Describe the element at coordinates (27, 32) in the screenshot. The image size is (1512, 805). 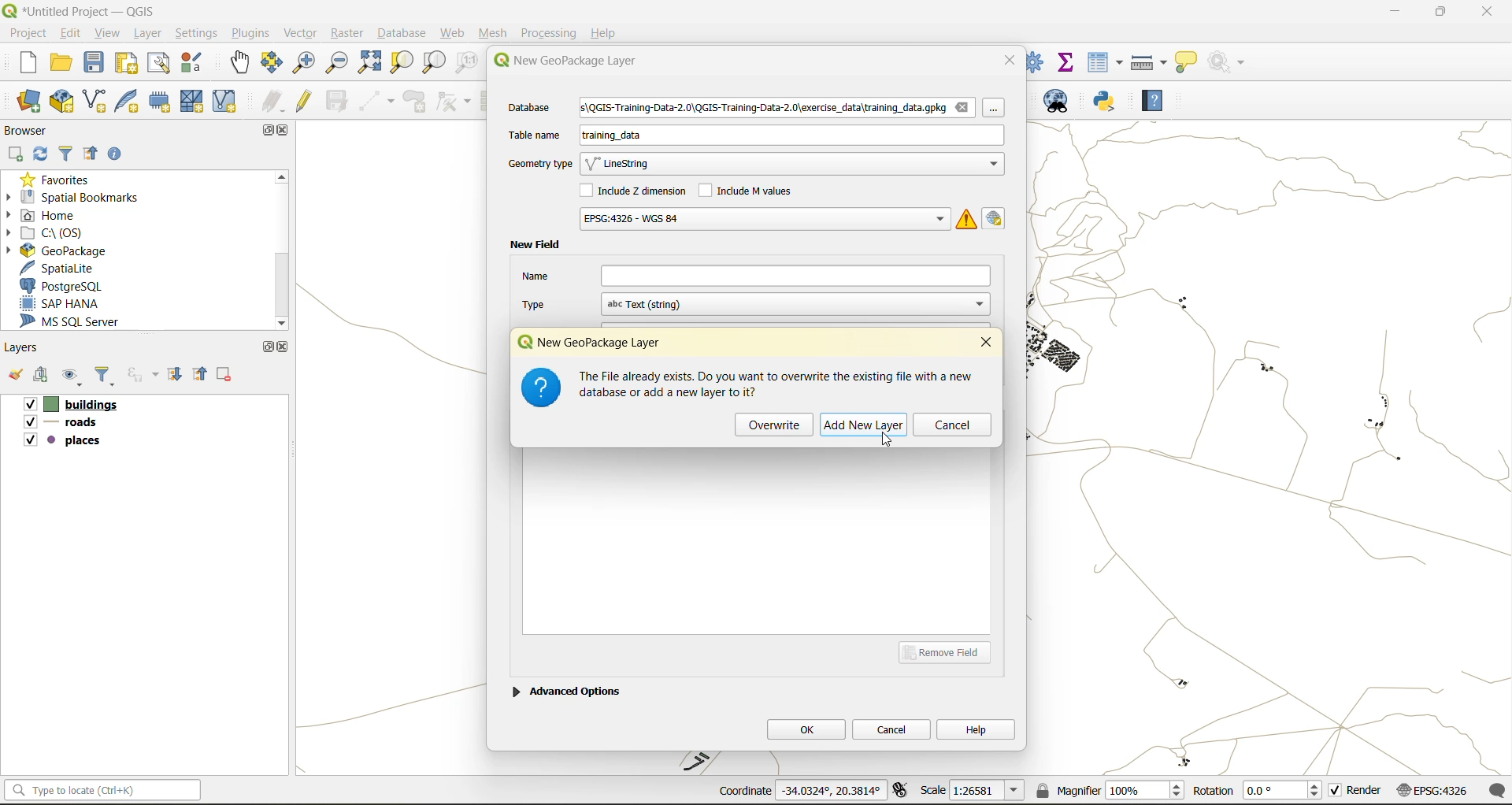
I see `project` at that location.